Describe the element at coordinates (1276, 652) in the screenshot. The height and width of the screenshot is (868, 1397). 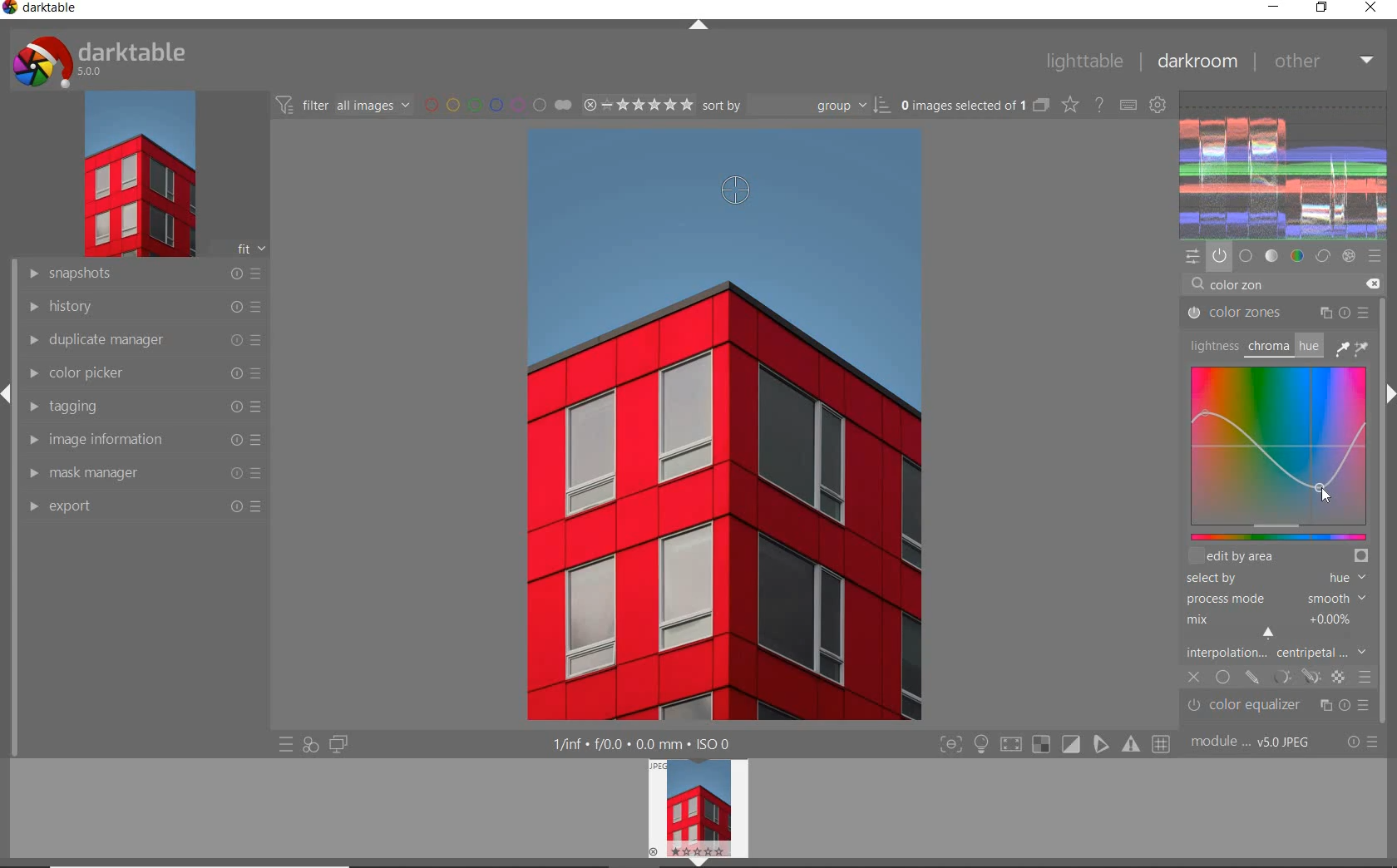
I see `INTERPOLATION` at that location.